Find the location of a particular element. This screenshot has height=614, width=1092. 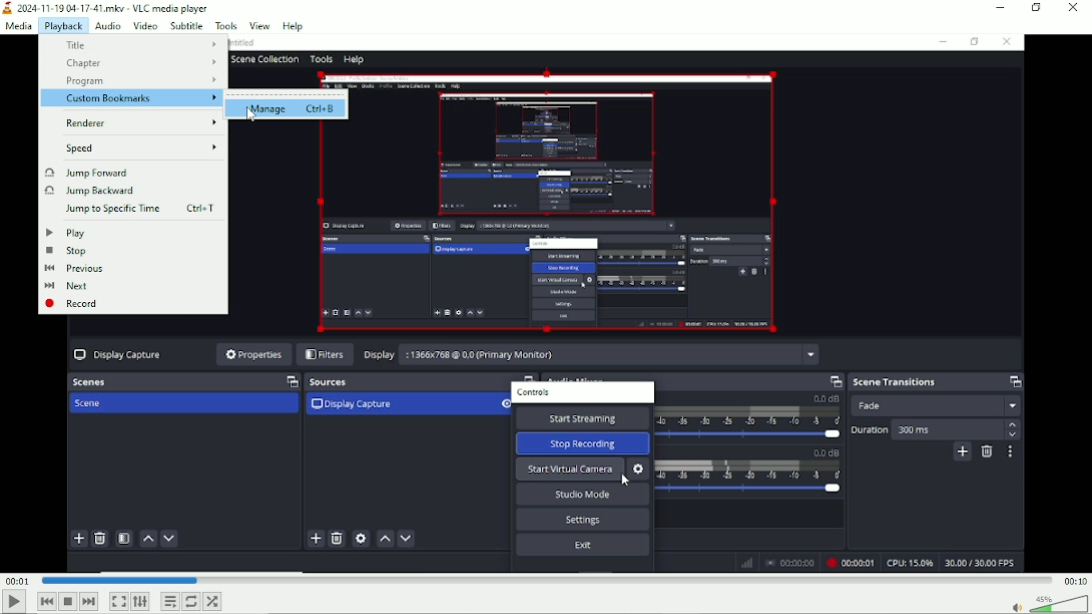

Next is located at coordinates (88, 601).